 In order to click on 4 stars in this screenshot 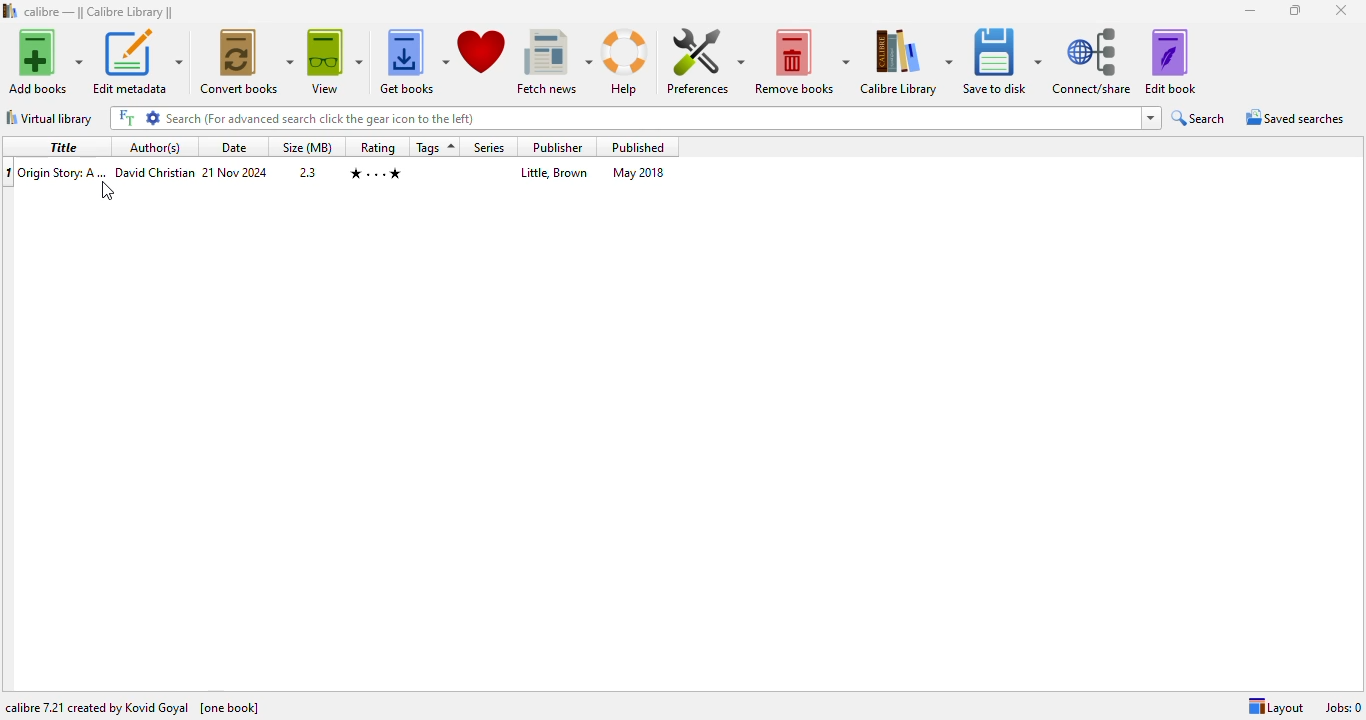, I will do `click(376, 174)`.